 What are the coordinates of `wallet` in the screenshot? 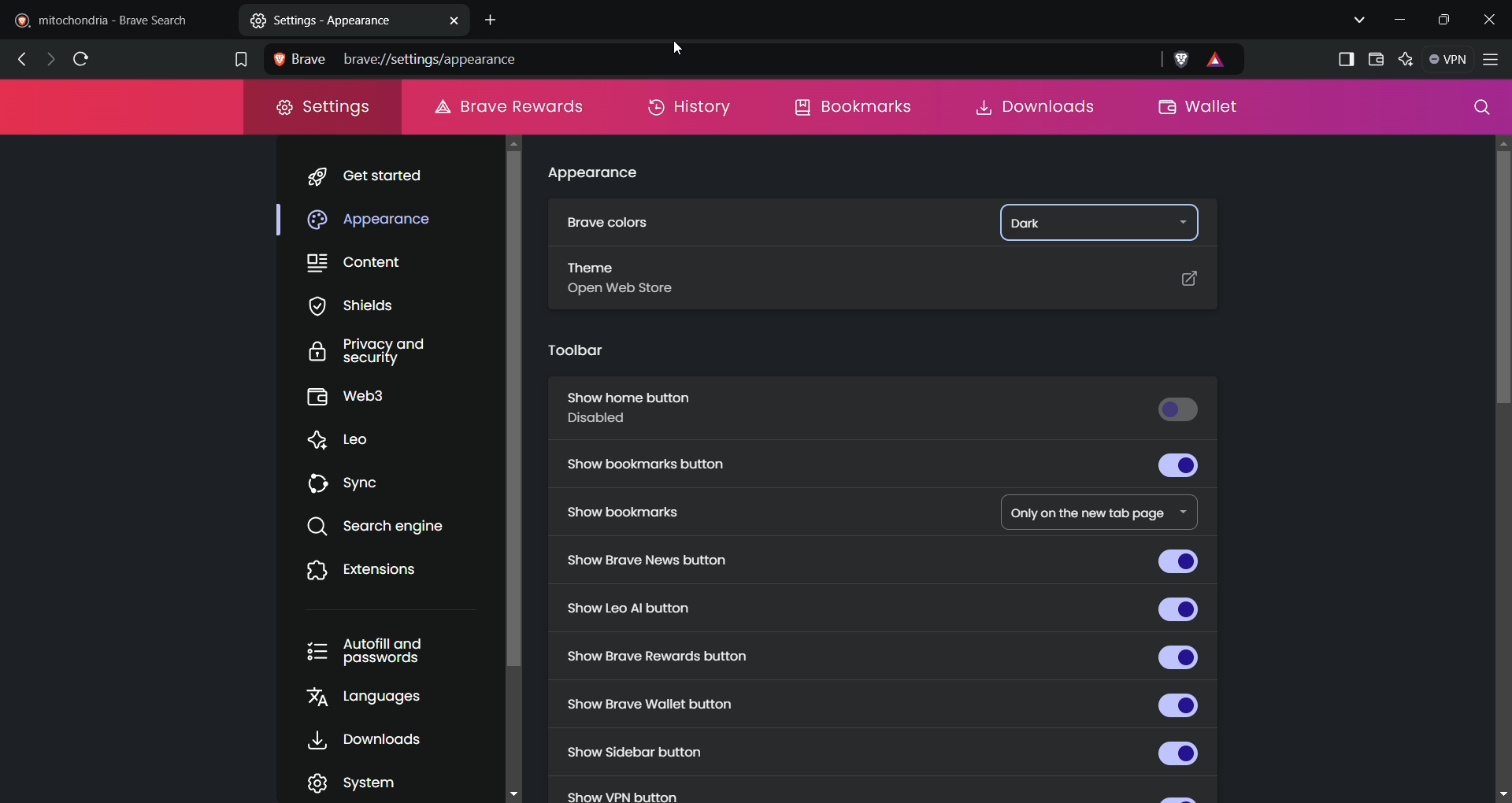 It's located at (1198, 106).